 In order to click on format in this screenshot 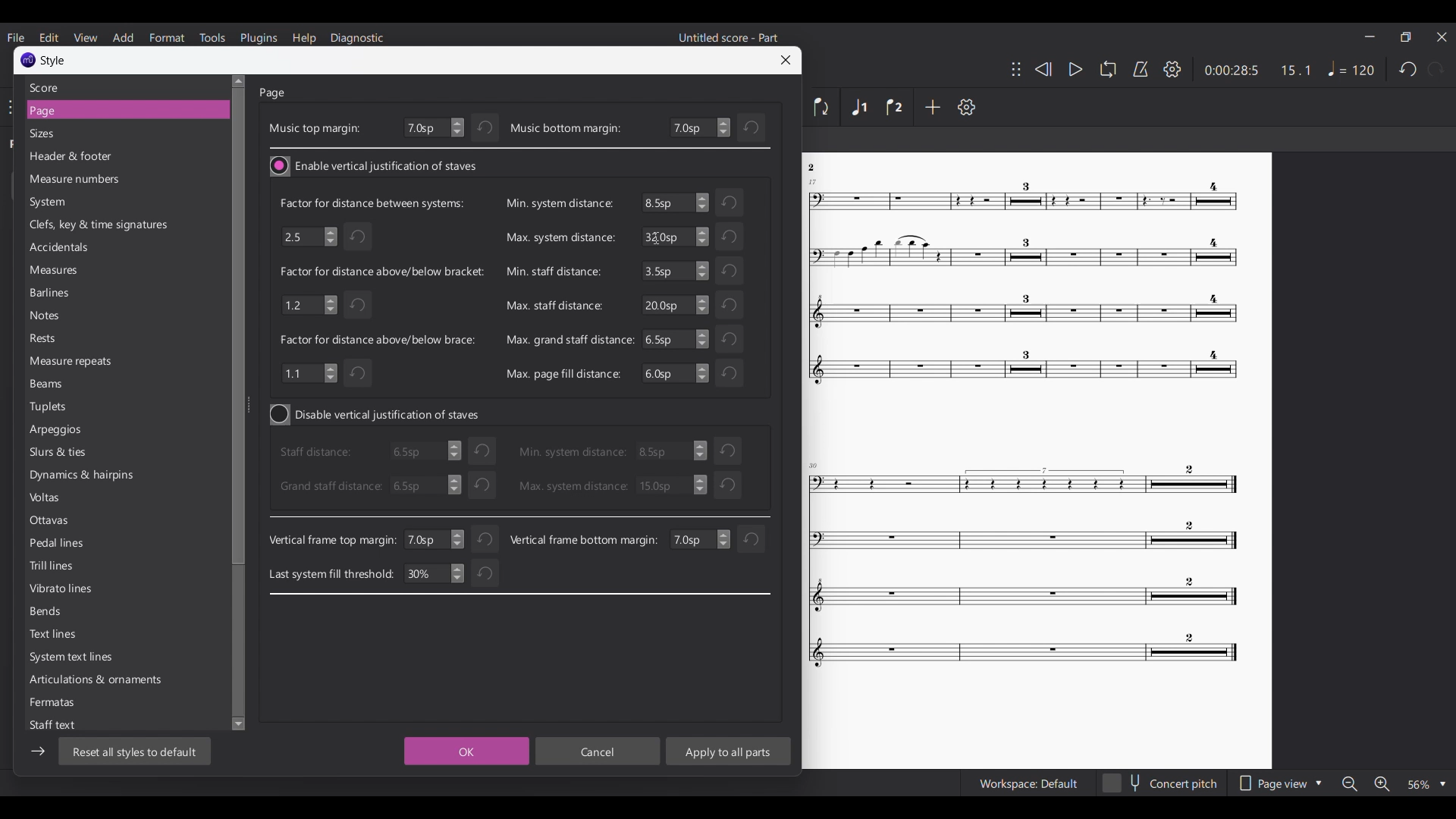, I will do `click(168, 37)`.